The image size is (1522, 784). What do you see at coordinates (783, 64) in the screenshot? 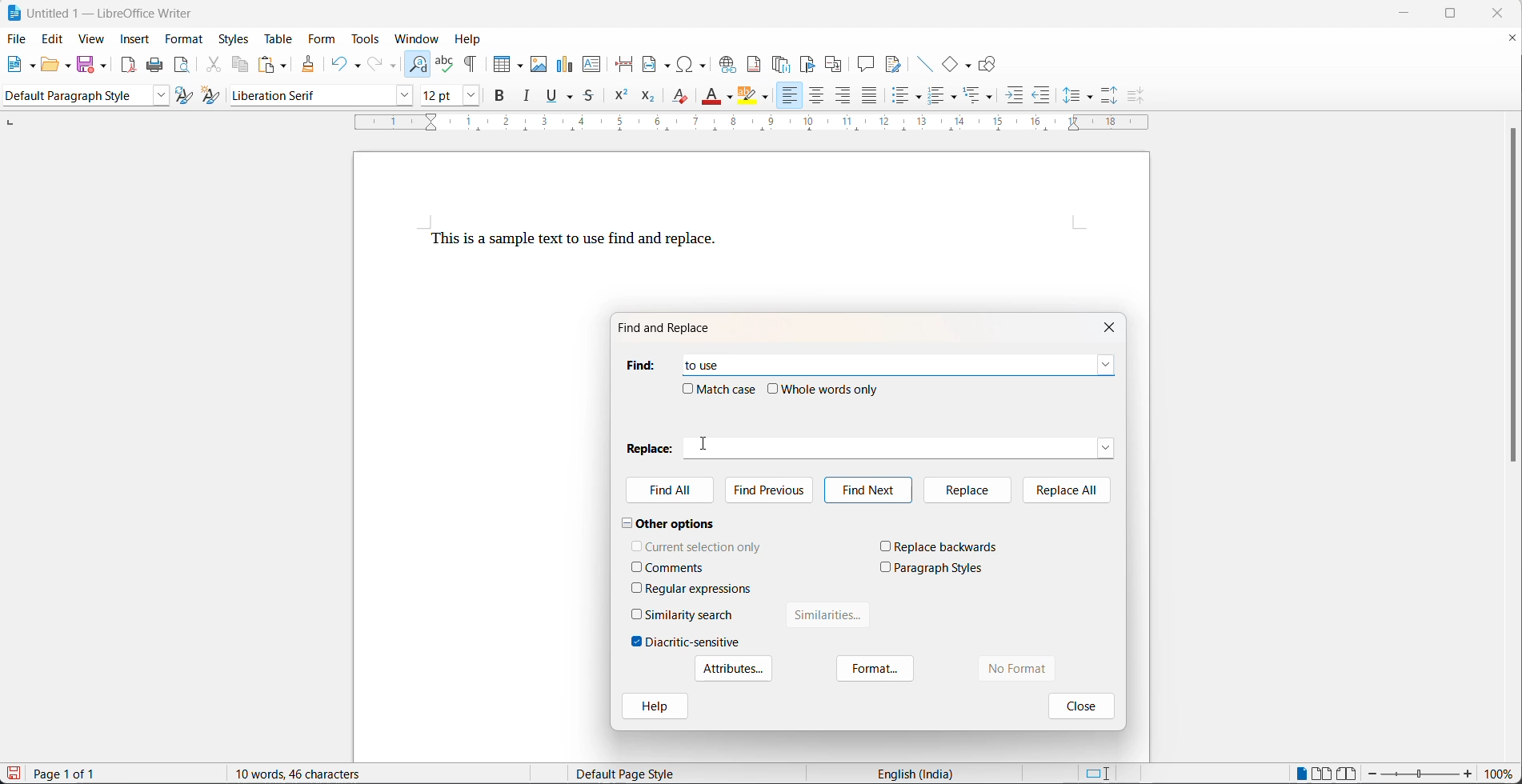
I see `insert endnote` at bounding box center [783, 64].